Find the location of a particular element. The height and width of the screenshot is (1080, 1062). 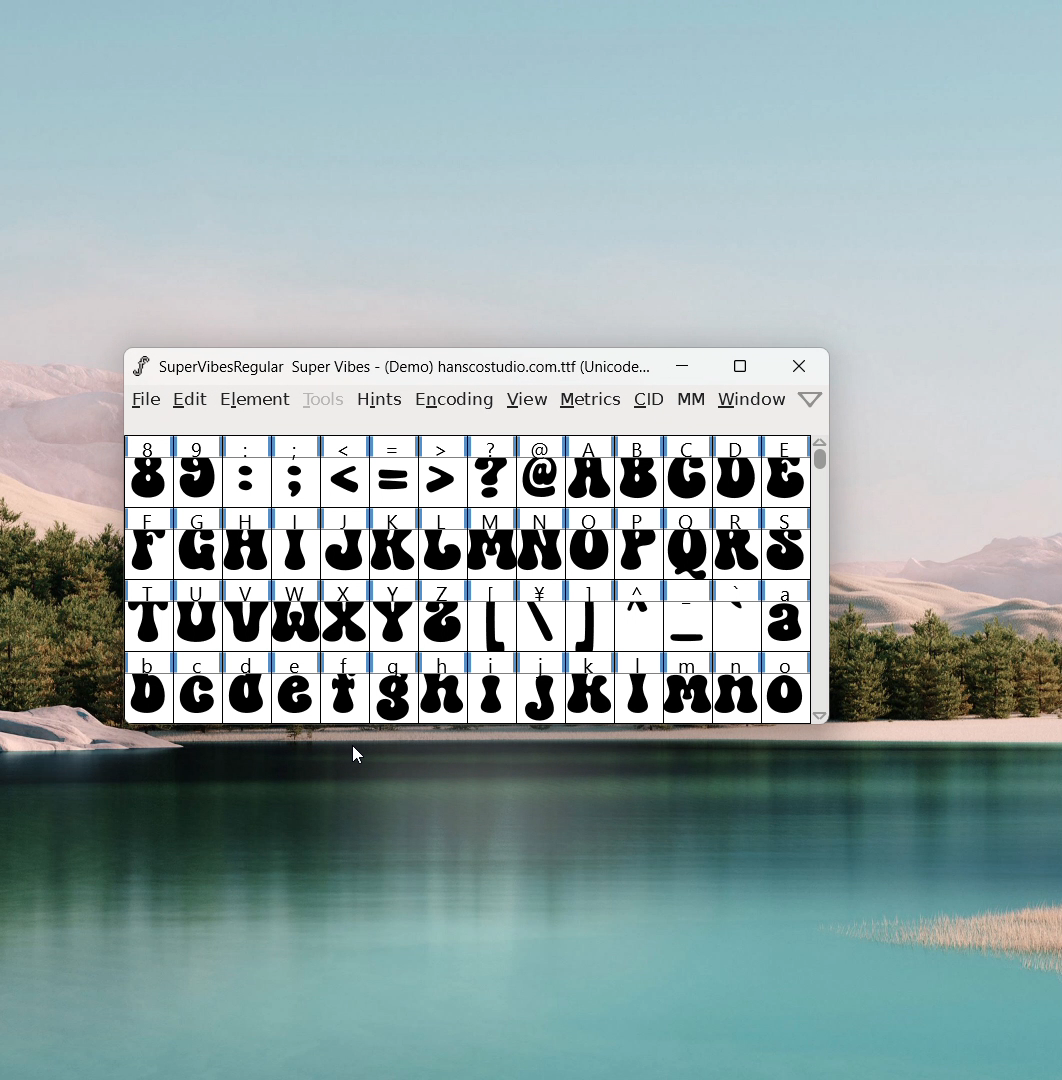

? is located at coordinates (493, 472).